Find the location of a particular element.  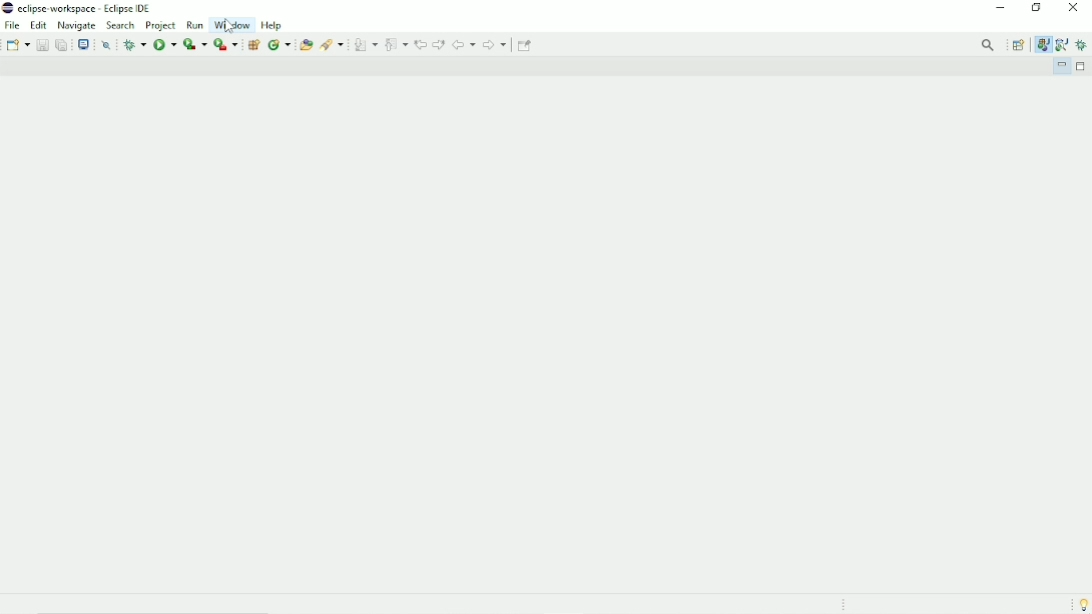

Maximize is located at coordinates (1082, 66).